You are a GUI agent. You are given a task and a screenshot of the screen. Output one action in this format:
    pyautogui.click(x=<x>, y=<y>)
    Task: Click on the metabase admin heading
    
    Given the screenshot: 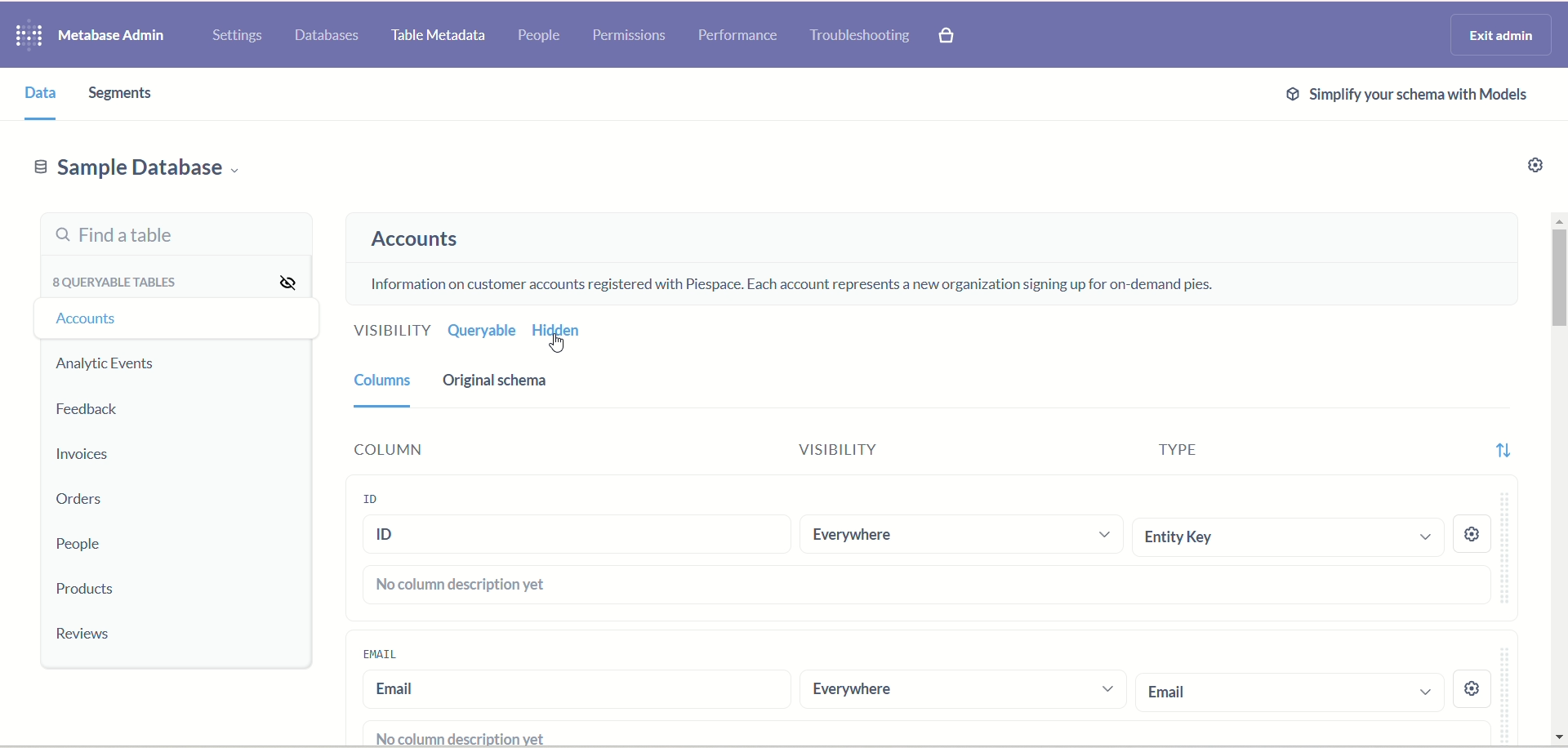 What is the action you would take?
    pyautogui.click(x=111, y=35)
    